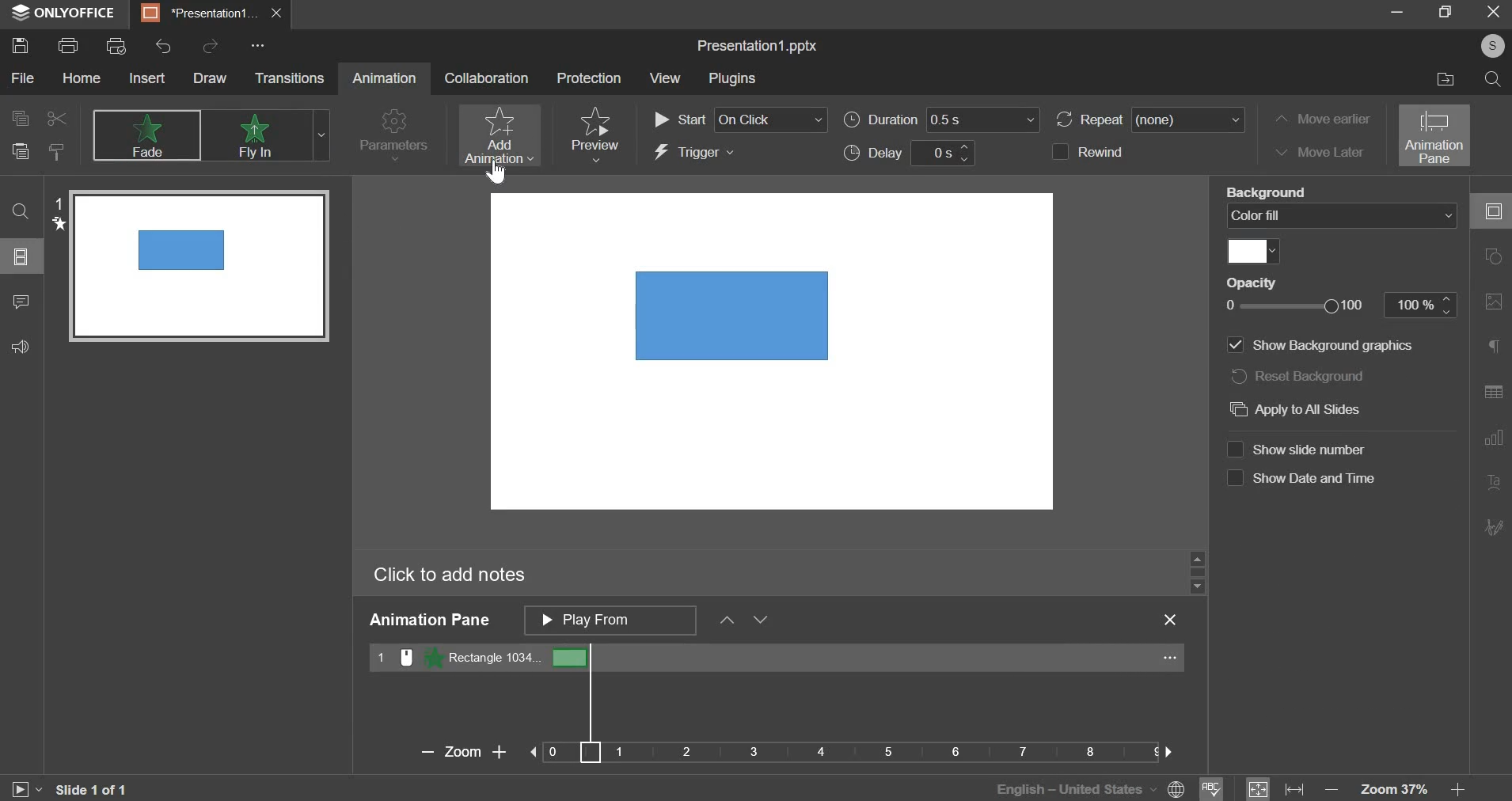  I want to click on redo, so click(210, 47).